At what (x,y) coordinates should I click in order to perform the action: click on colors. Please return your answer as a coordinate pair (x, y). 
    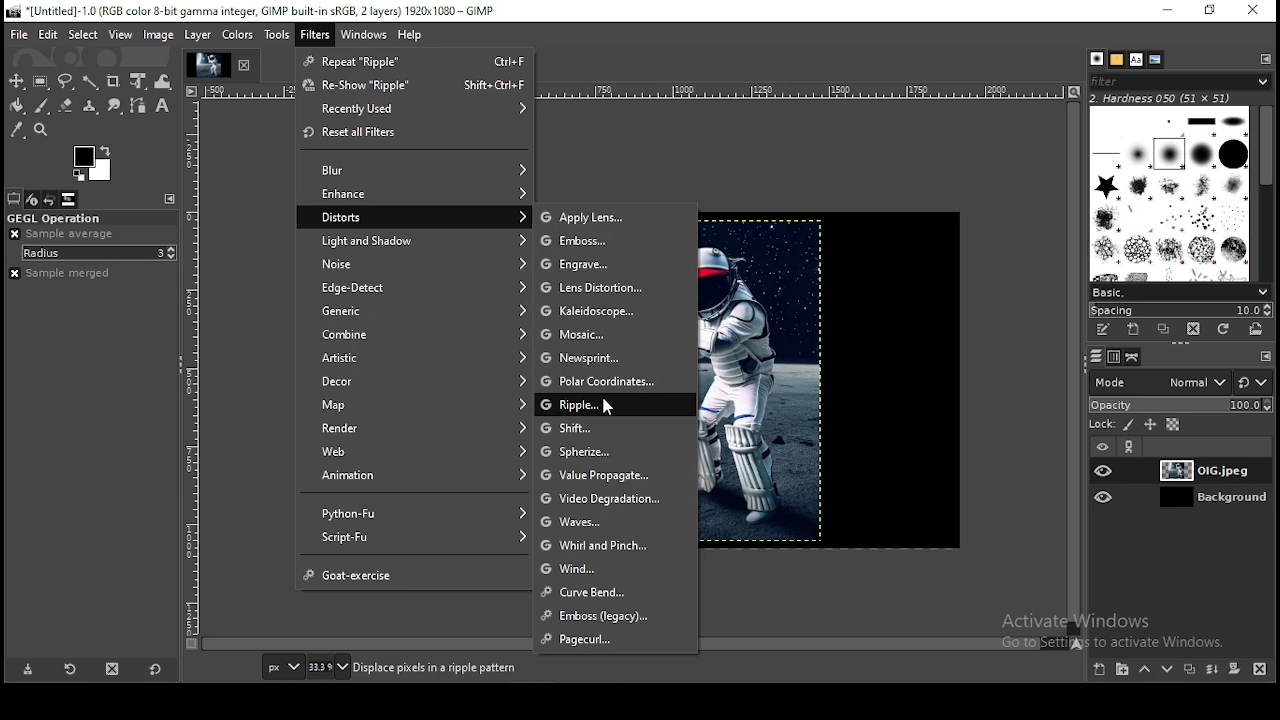
    Looking at the image, I should click on (94, 162).